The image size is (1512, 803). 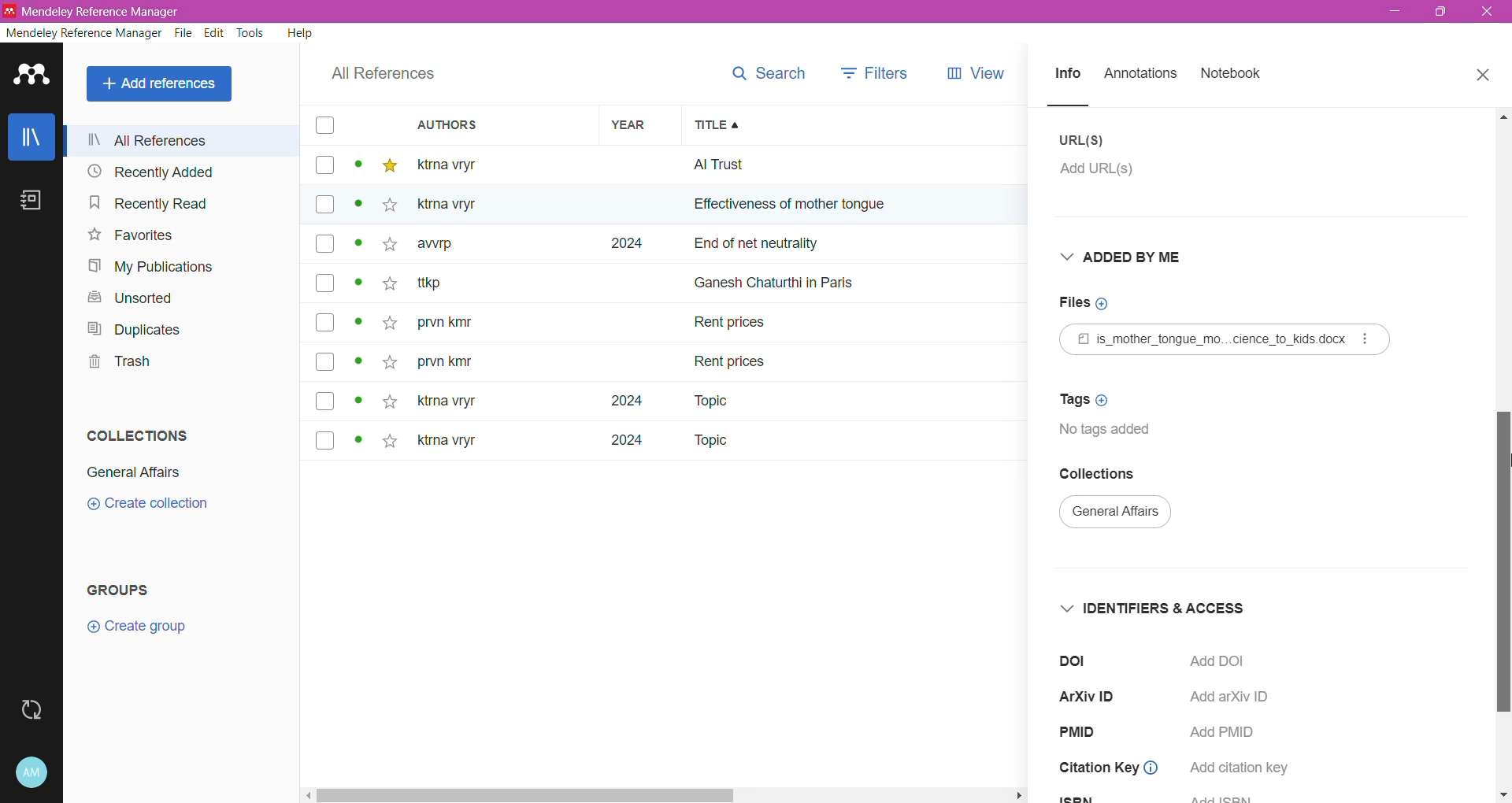 I want to click on Rent prices, so click(x=732, y=325).